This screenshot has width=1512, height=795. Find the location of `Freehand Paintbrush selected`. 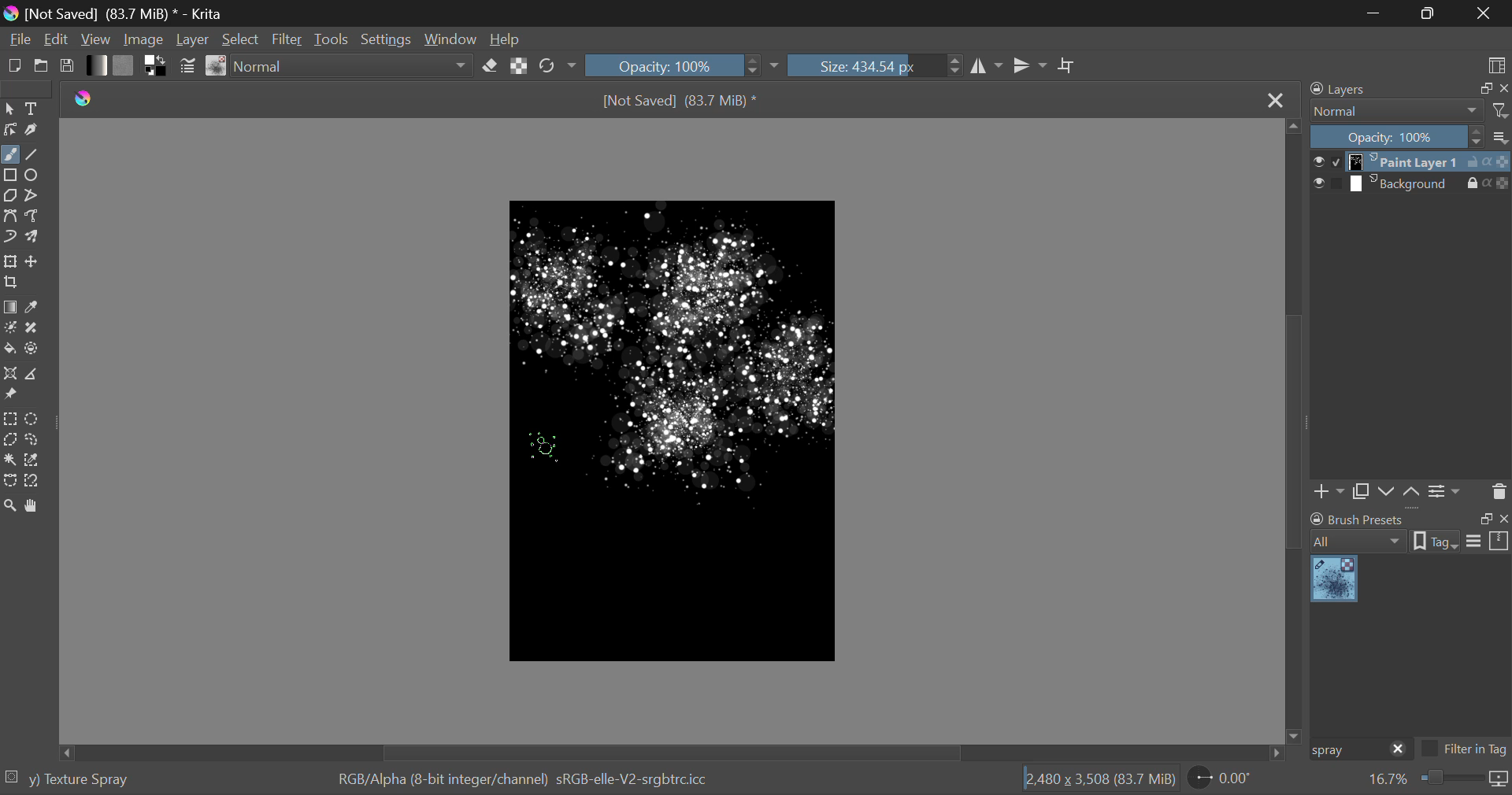

Freehand Paintbrush selected is located at coordinates (9, 156).